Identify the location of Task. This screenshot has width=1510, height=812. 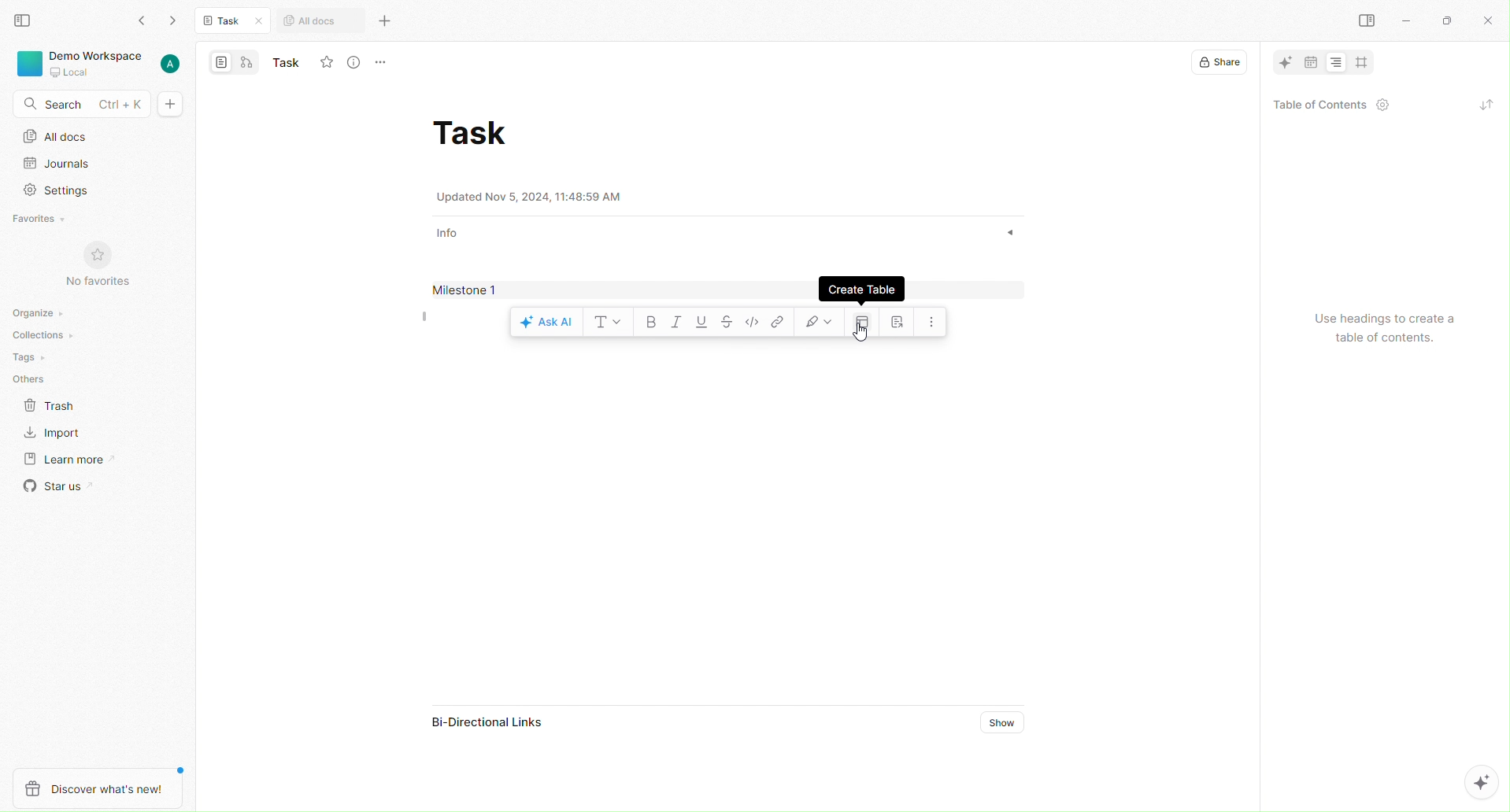
(474, 134).